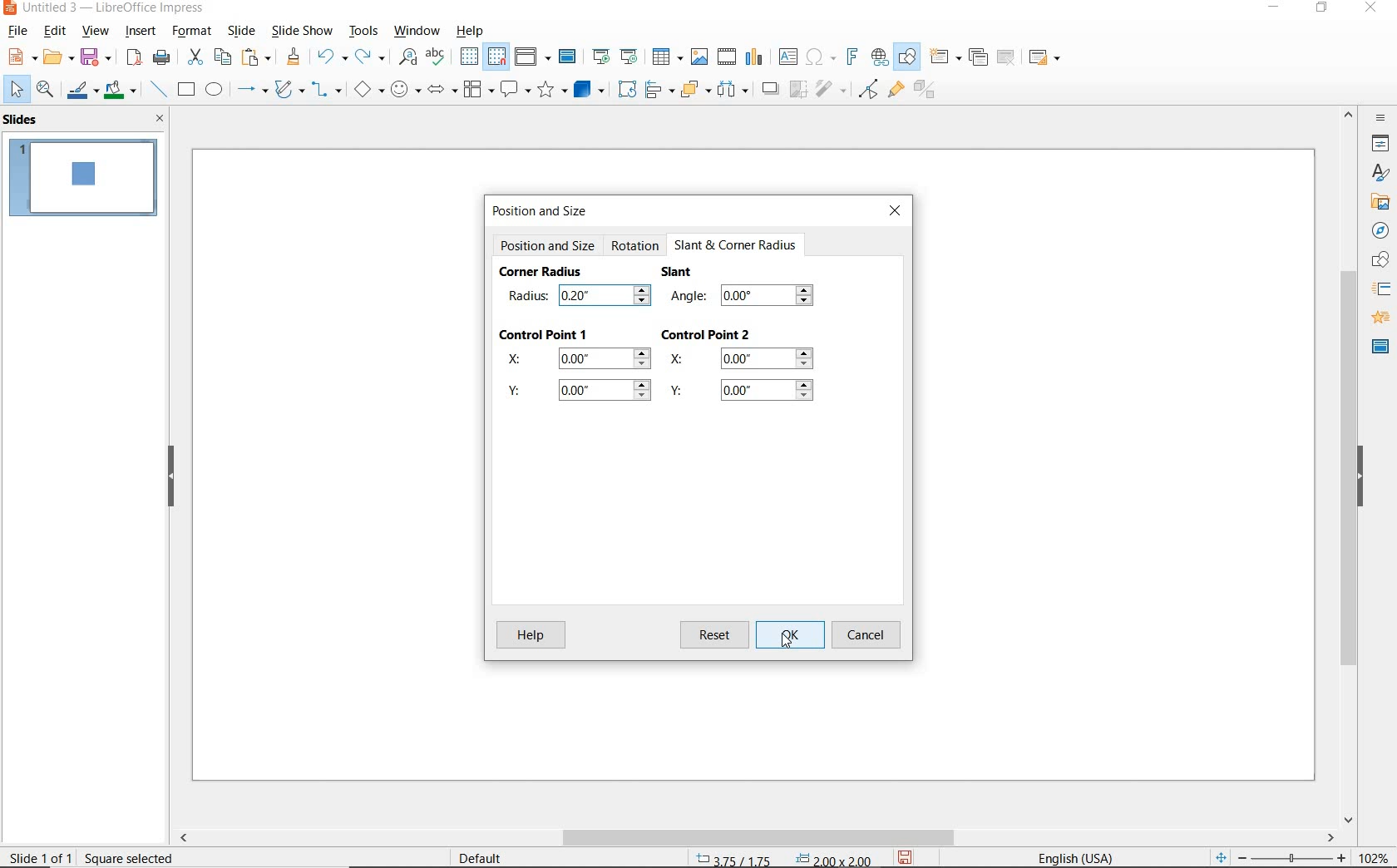  I want to click on insert hyperlink, so click(878, 56).